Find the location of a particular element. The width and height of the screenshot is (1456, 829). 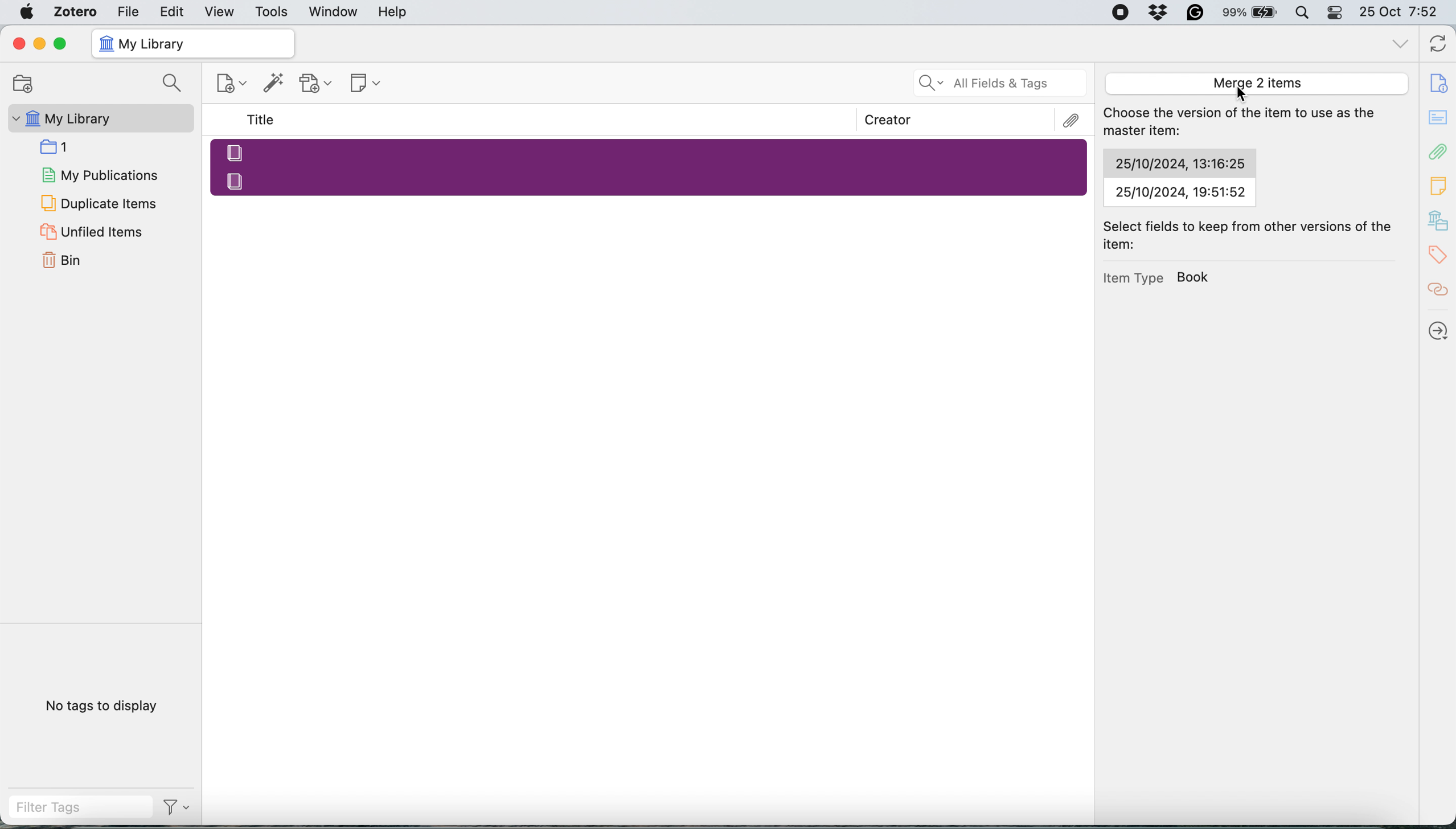

Blank Entry 2 Selected is located at coordinates (651, 180).